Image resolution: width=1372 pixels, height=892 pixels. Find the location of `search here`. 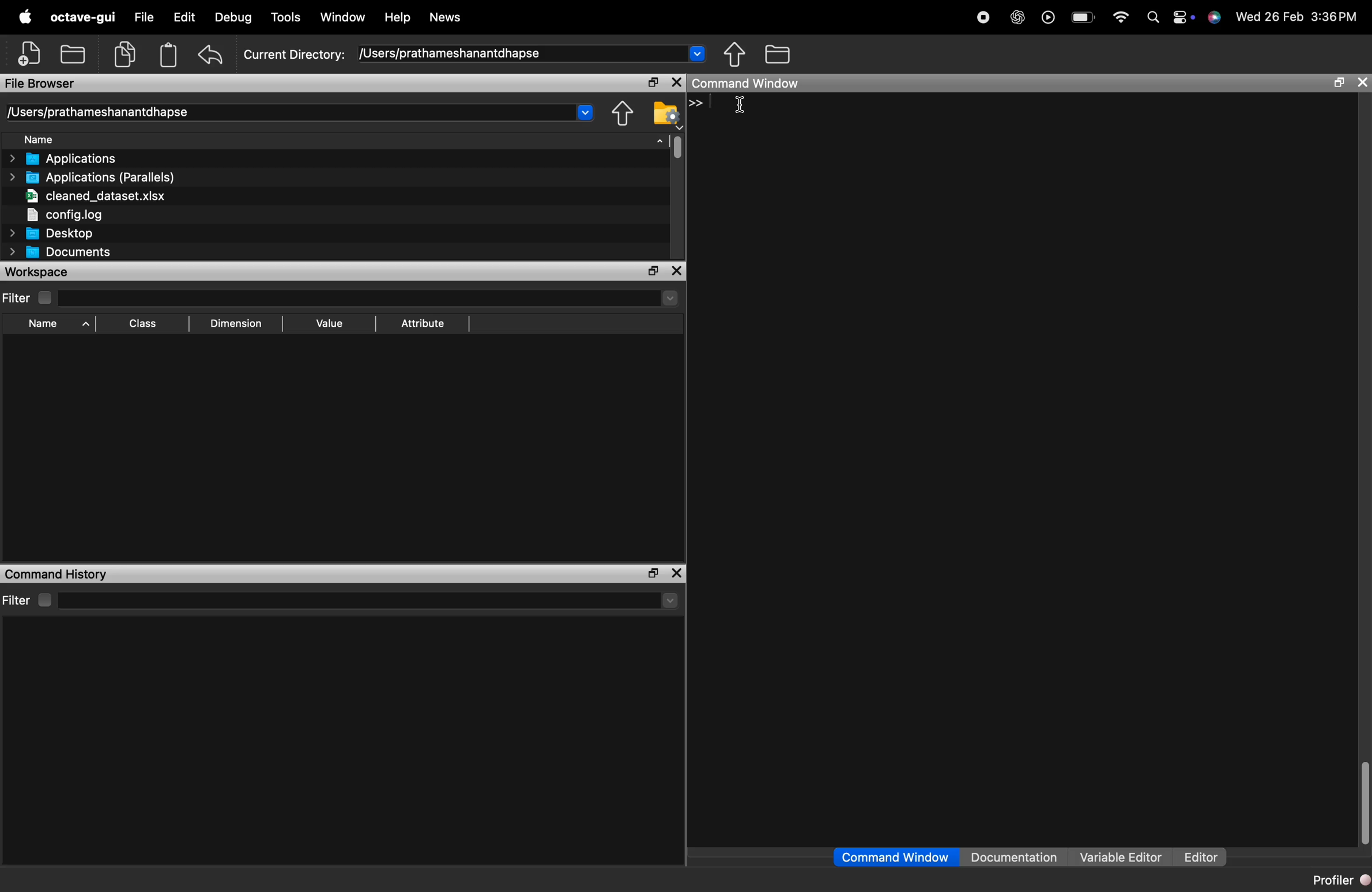

search here is located at coordinates (372, 297).